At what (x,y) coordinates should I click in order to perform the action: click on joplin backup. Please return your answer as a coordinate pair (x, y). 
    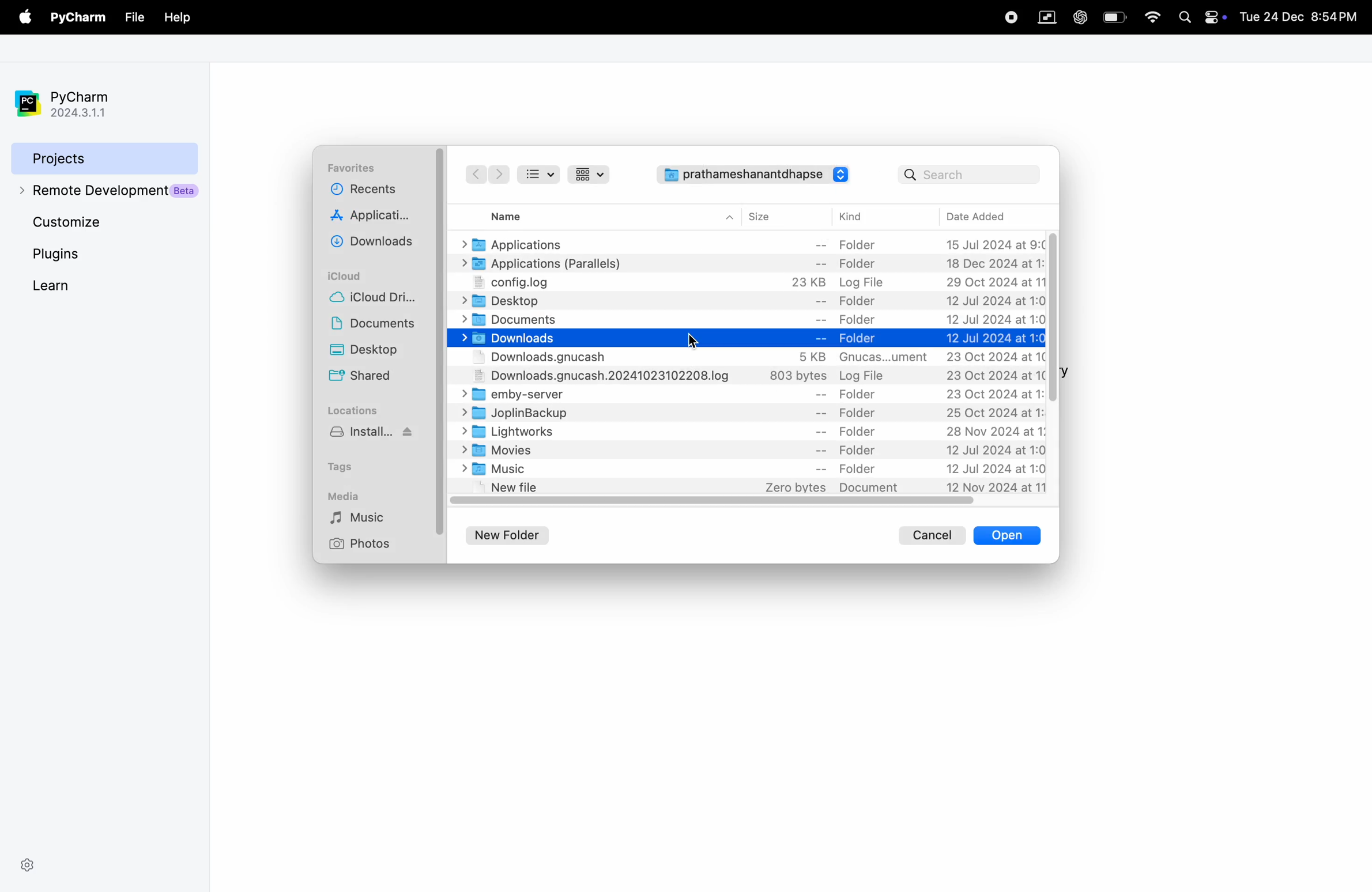
    Looking at the image, I should click on (752, 414).